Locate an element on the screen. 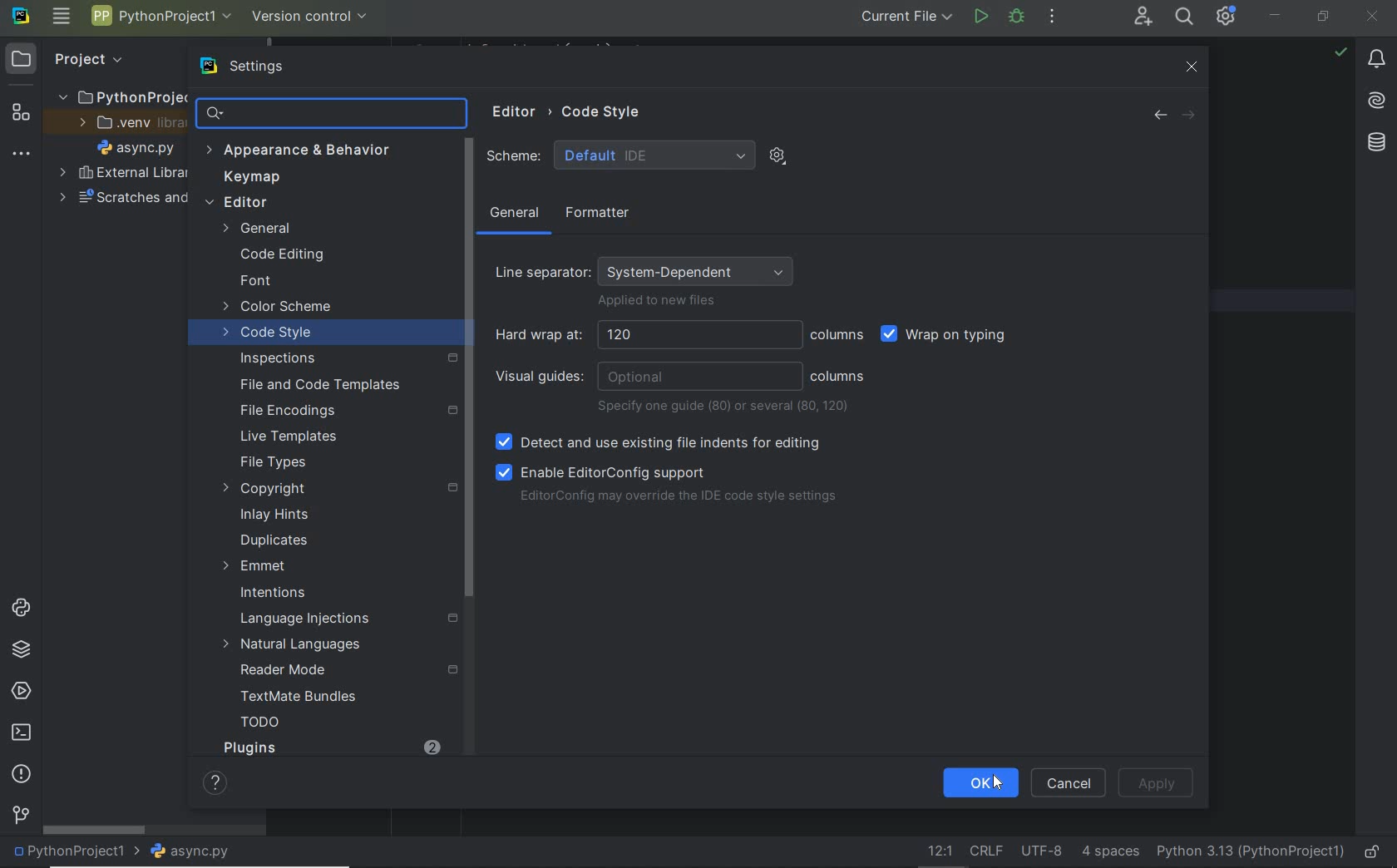 Image resolution: width=1397 pixels, height=868 pixels. CLOSE is located at coordinates (1373, 15).